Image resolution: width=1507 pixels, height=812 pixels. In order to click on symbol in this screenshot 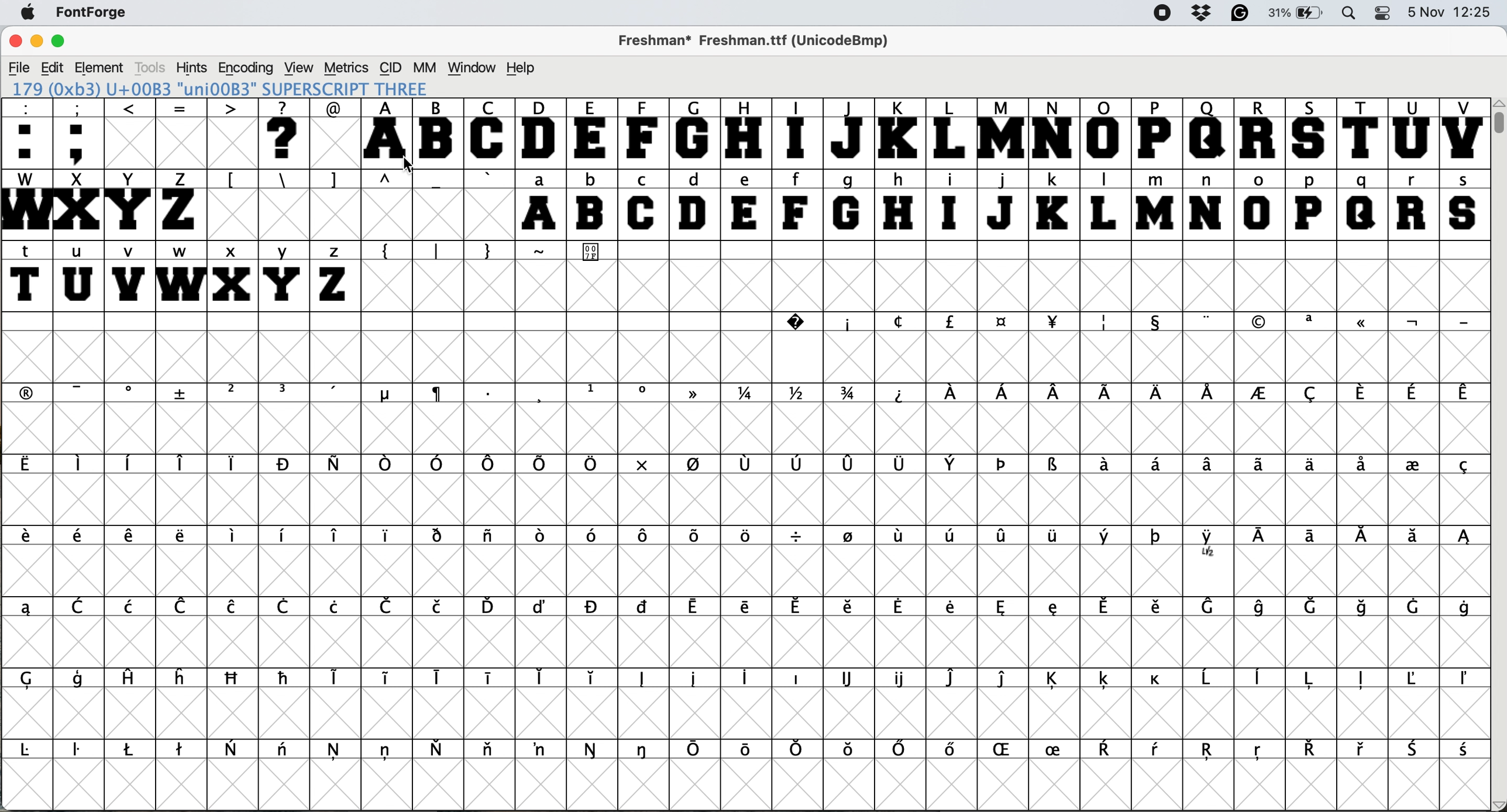, I will do `click(854, 605)`.